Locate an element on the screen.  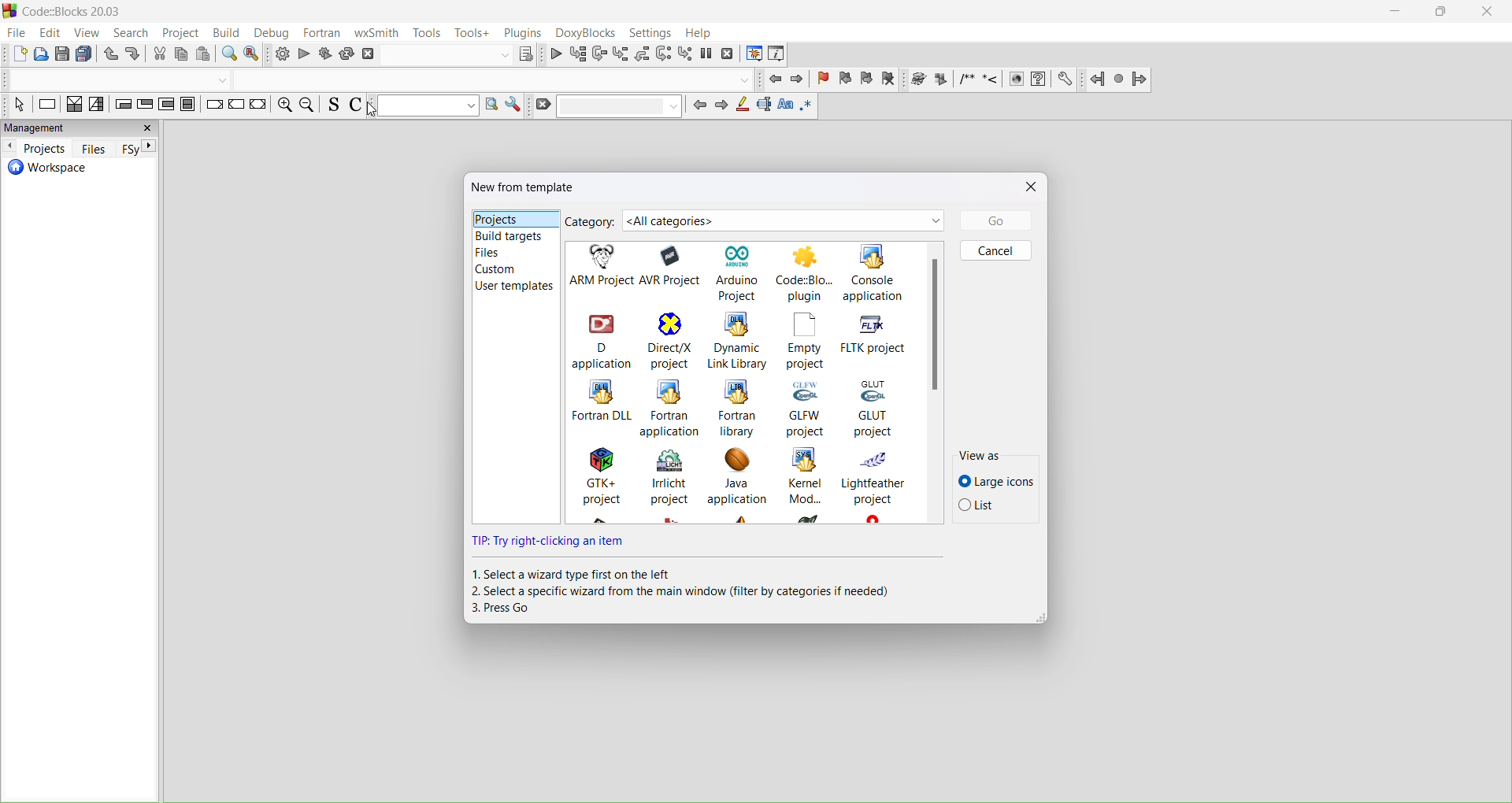
various info is located at coordinates (780, 54).